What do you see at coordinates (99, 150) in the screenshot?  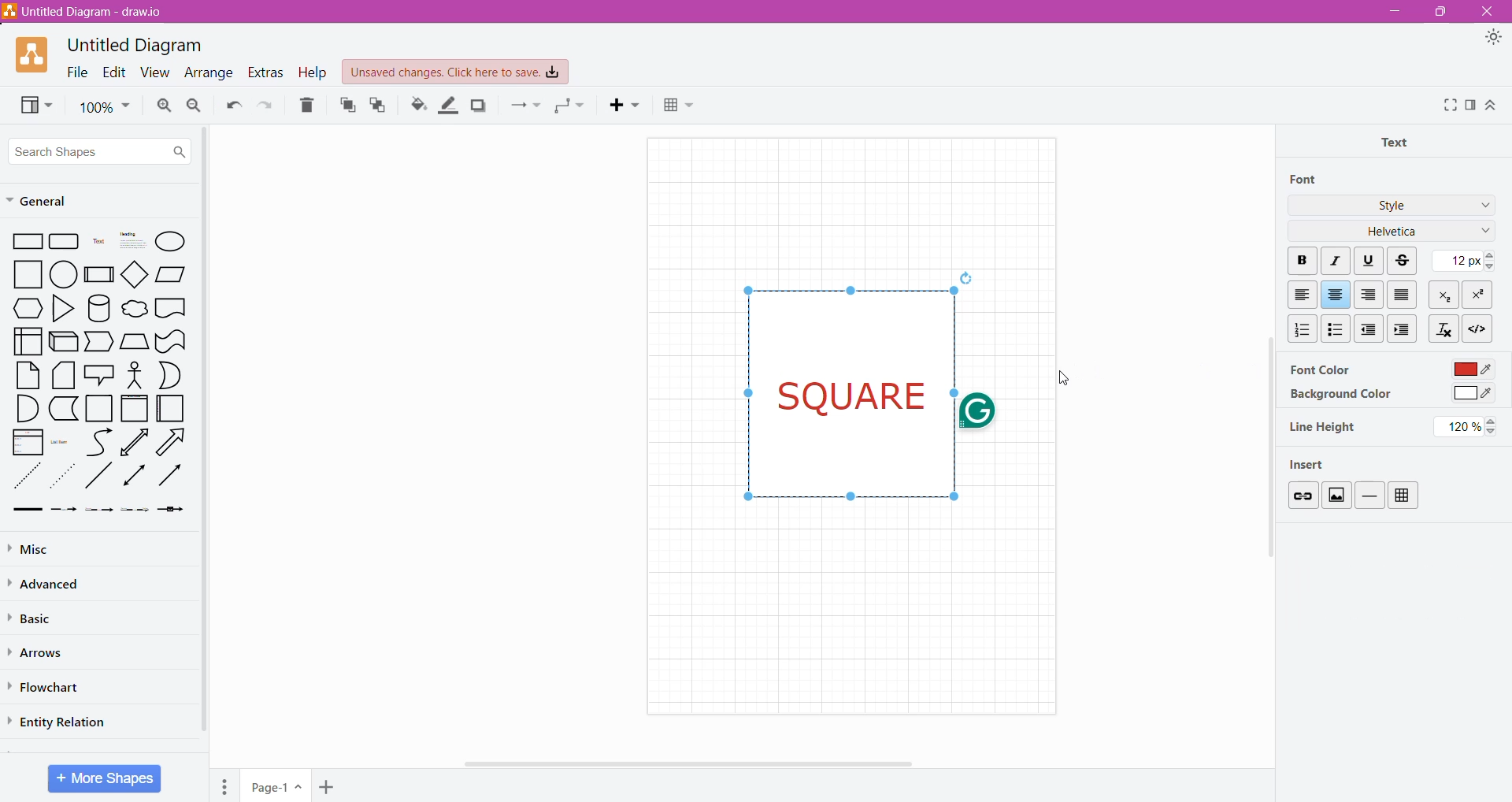 I see `Search Shapes` at bounding box center [99, 150].